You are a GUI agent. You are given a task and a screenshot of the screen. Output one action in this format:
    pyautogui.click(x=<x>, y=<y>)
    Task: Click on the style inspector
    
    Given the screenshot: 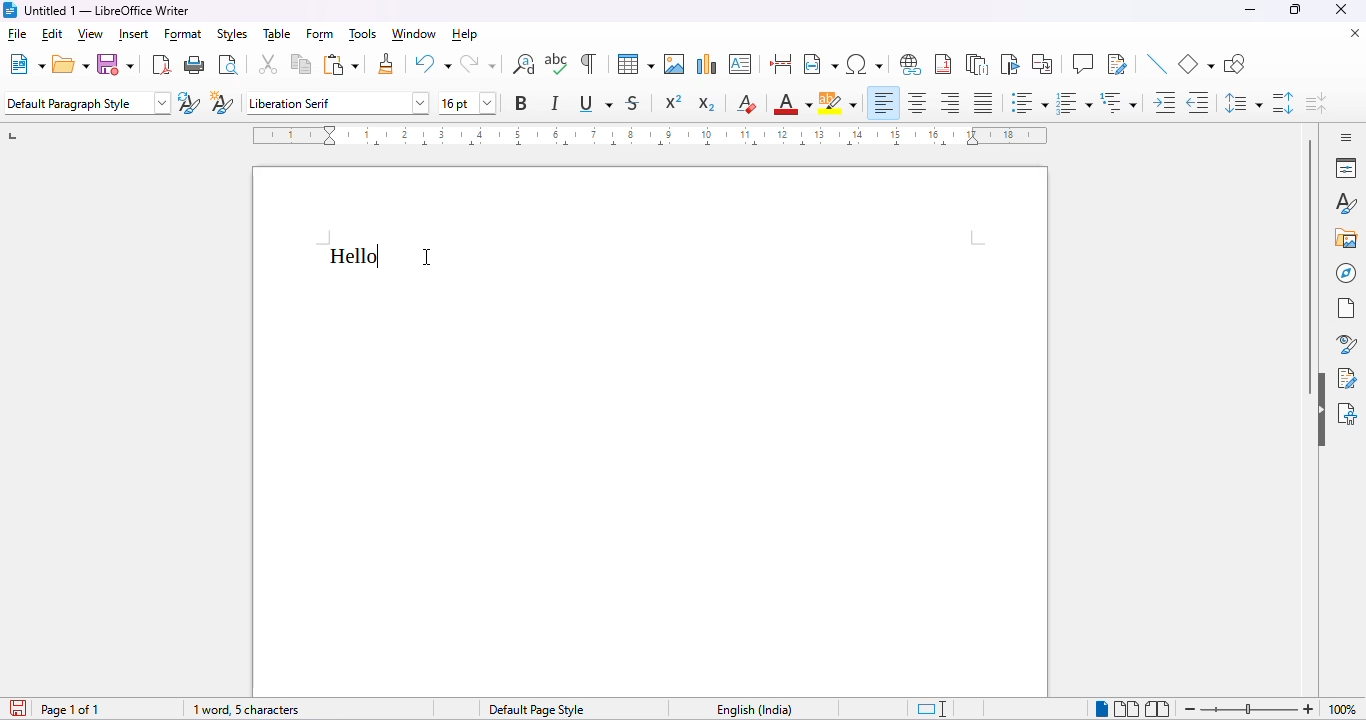 What is the action you would take?
    pyautogui.click(x=1343, y=343)
    